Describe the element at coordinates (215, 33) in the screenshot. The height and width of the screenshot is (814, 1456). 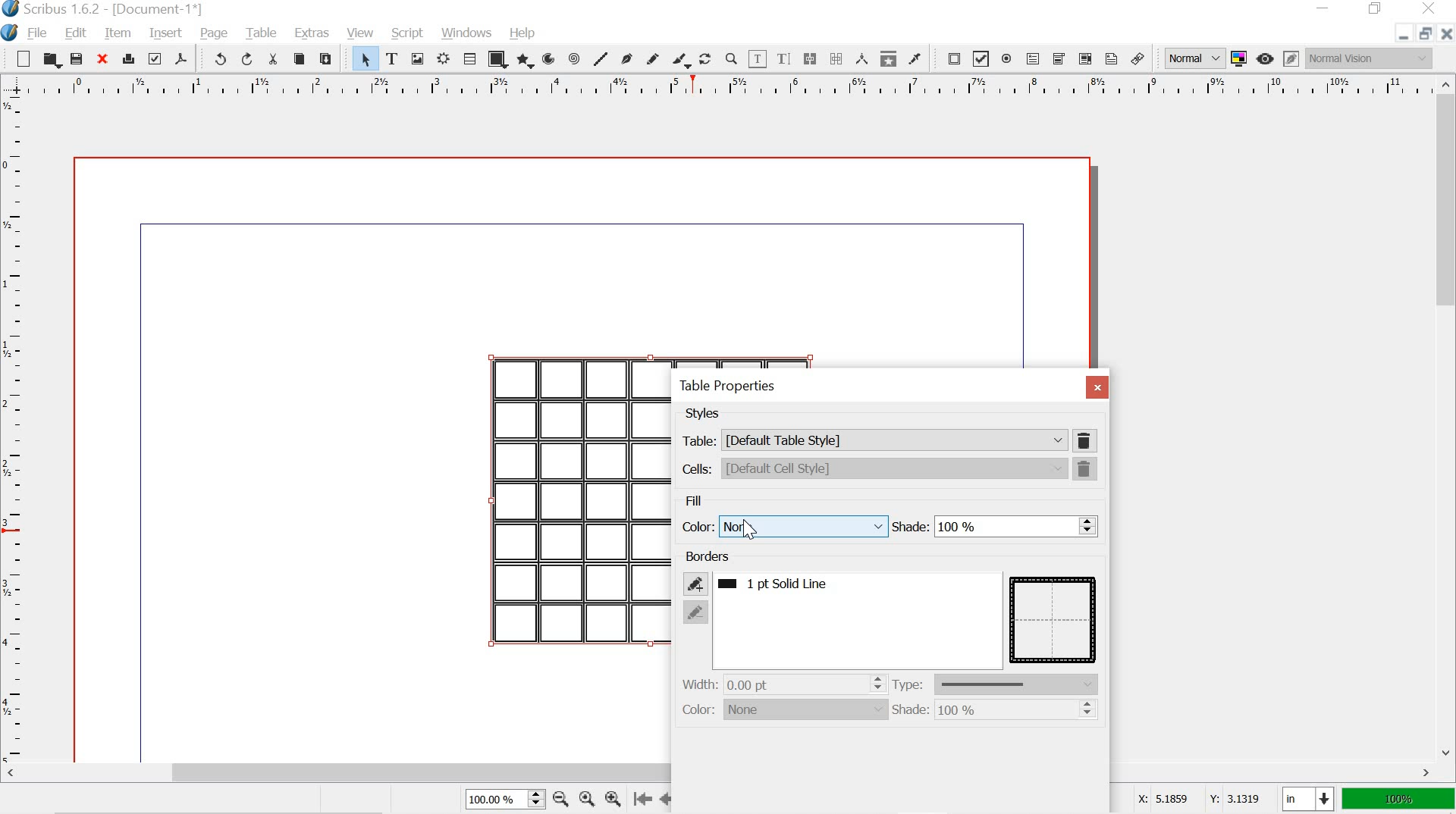
I see `page` at that location.